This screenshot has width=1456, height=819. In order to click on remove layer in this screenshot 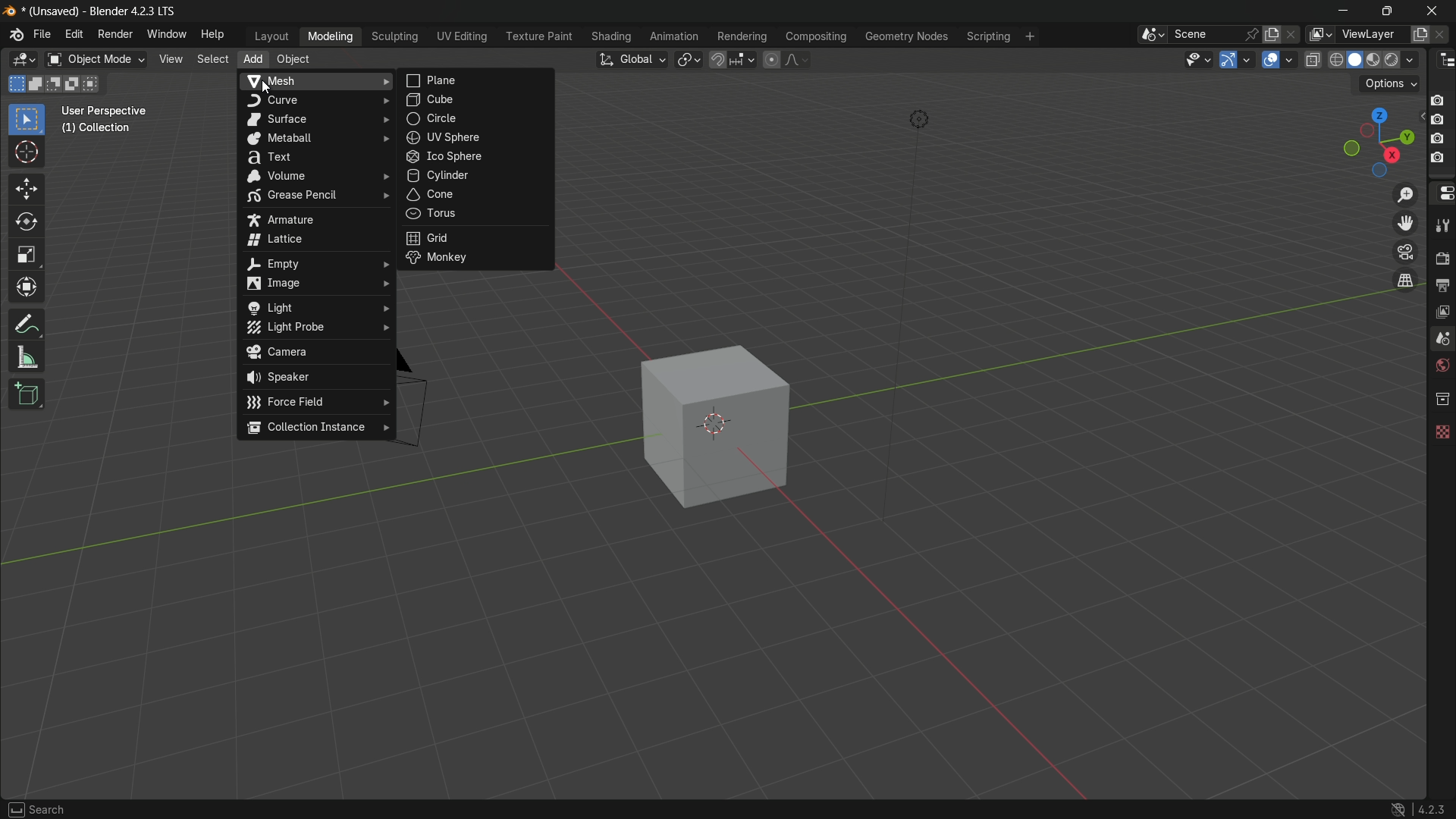, I will do `click(1446, 36)`.